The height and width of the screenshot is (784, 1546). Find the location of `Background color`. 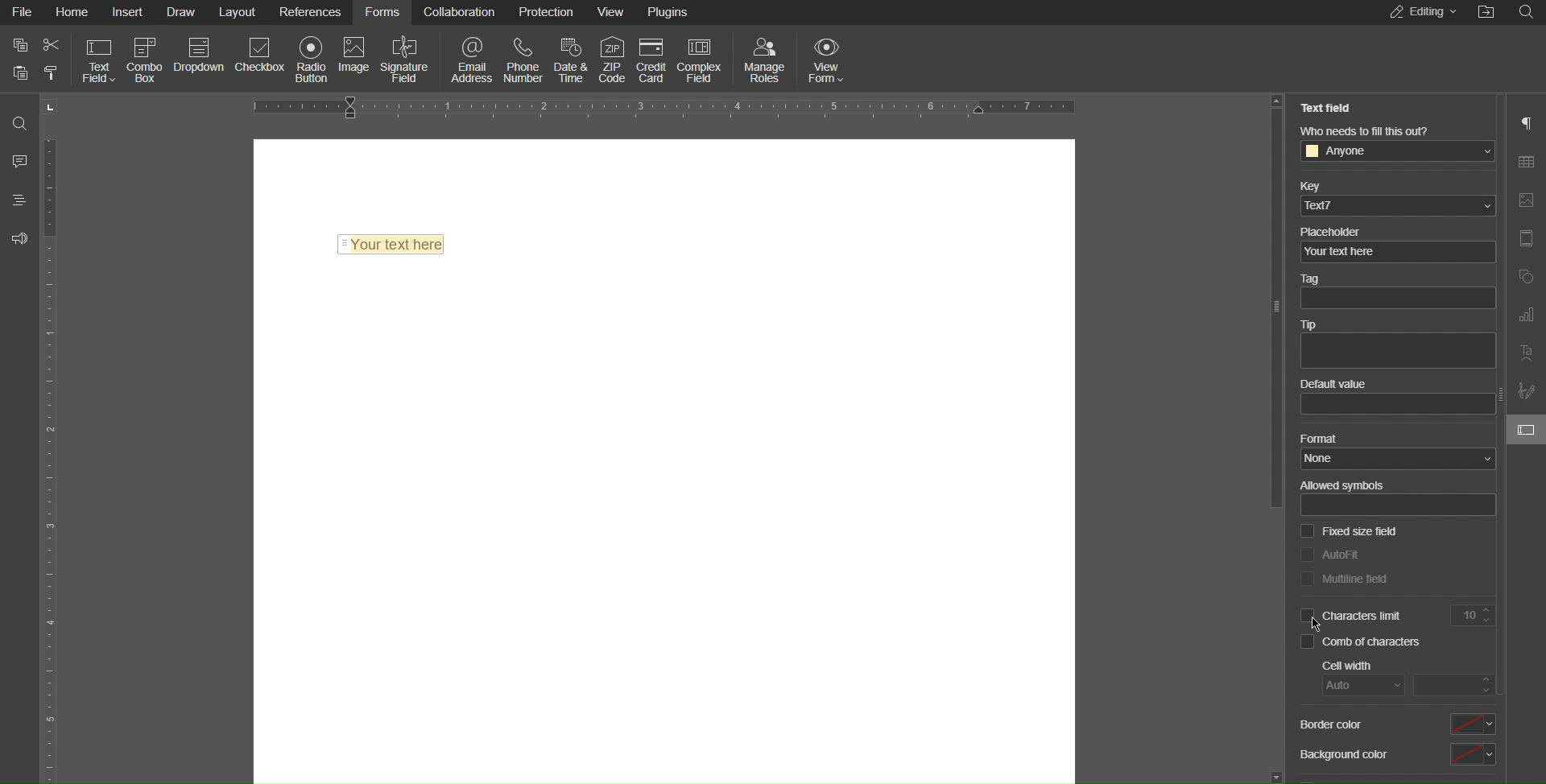

Background color is located at coordinates (1395, 757).